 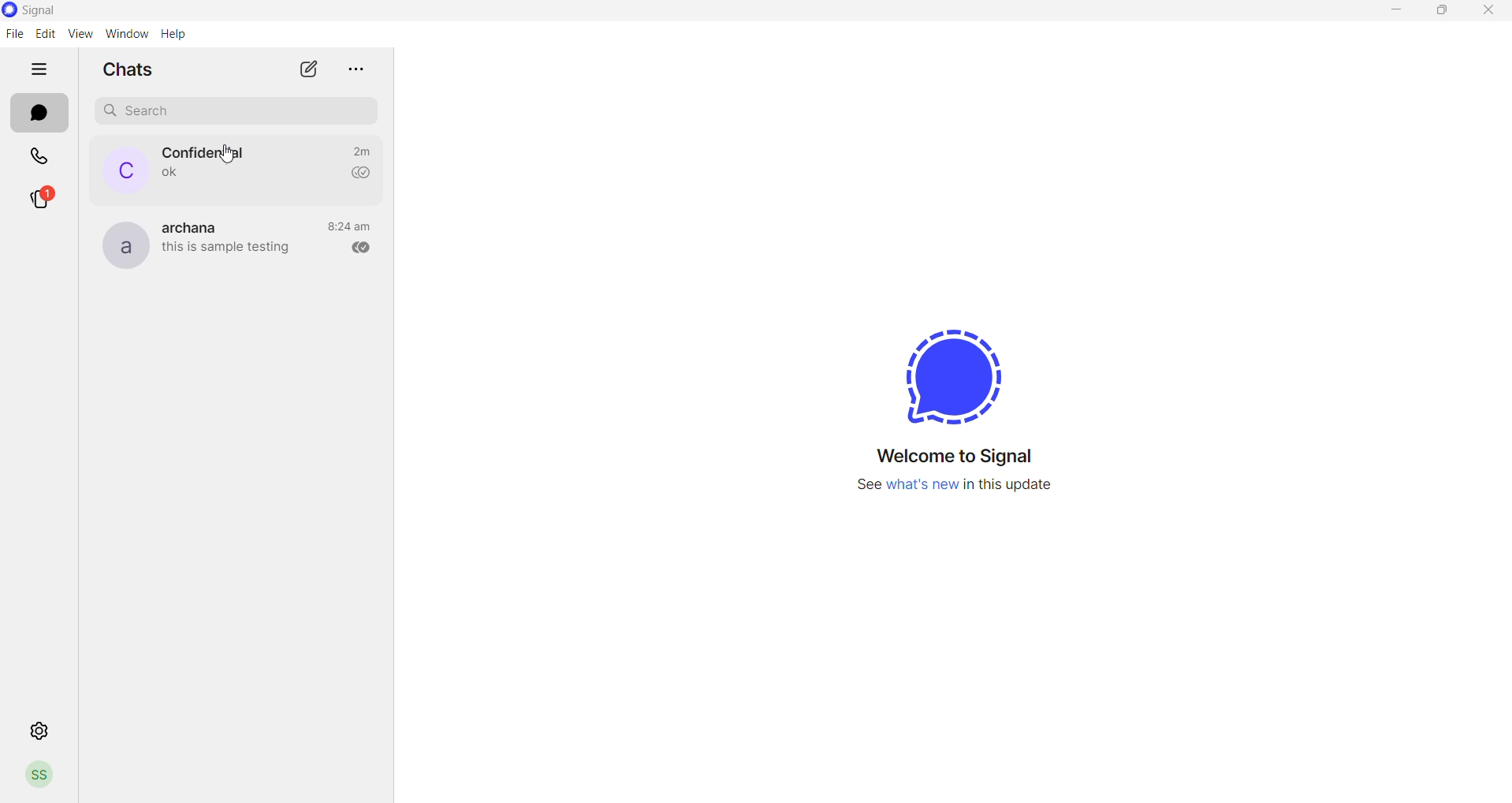 I want to click on application name and logo, so click(x=69, y=10).